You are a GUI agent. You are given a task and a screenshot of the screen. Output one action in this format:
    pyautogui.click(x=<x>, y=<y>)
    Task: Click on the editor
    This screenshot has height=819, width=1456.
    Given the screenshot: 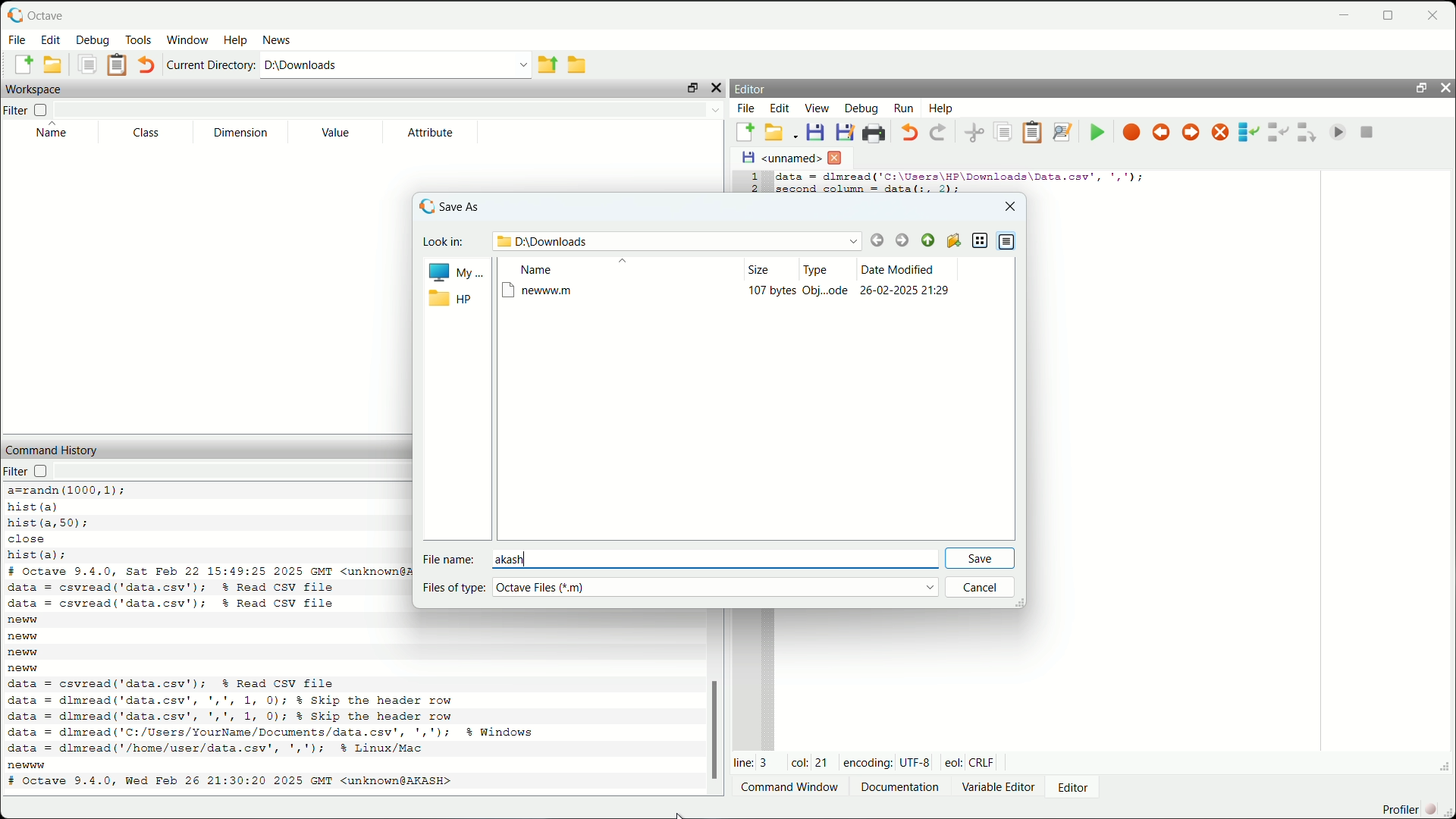 What is the action you would take?
    pyautogui.click(x=753, y=87)
    